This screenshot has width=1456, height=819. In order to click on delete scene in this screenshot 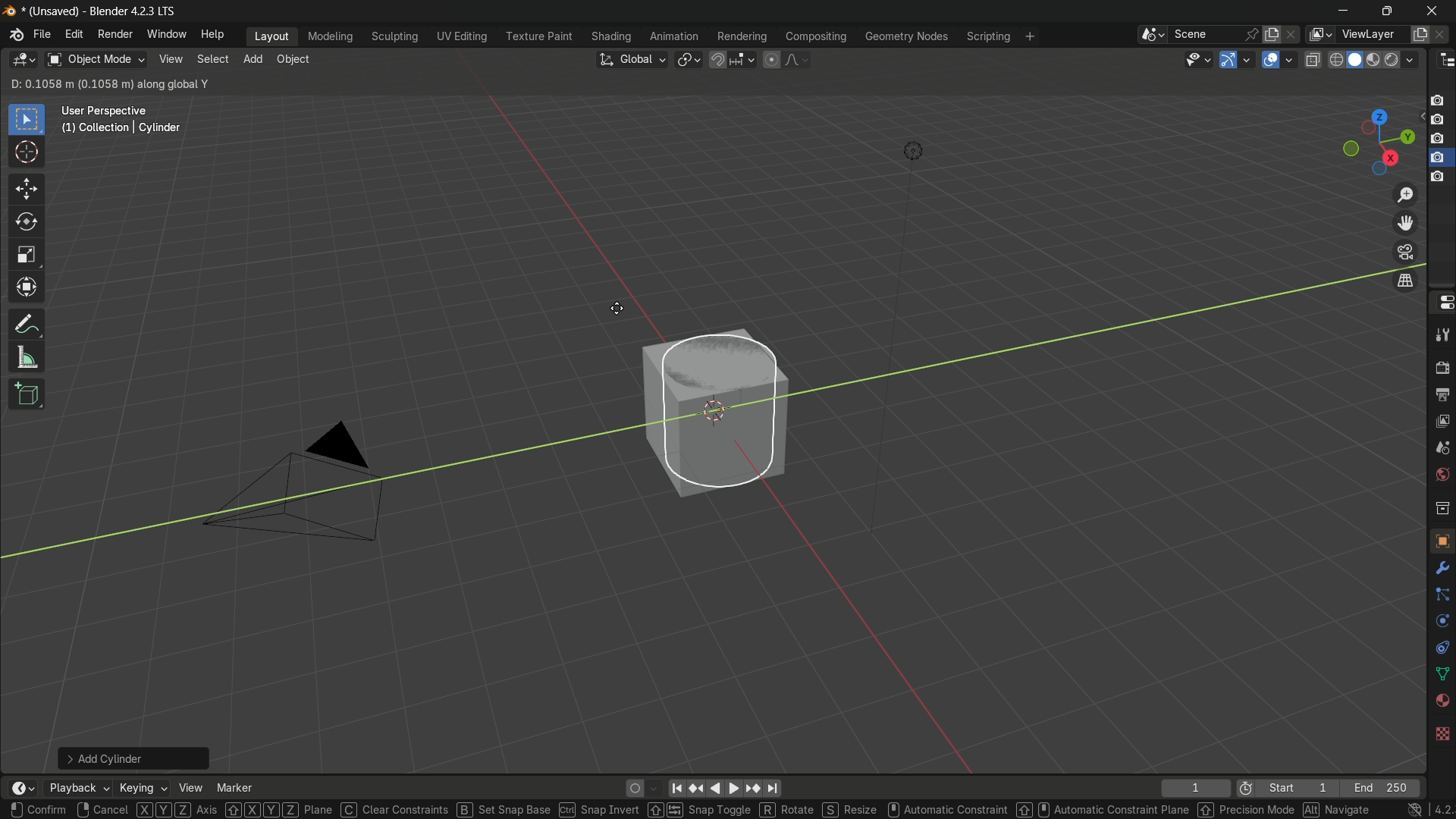, I will do `click(1291, 35)`.